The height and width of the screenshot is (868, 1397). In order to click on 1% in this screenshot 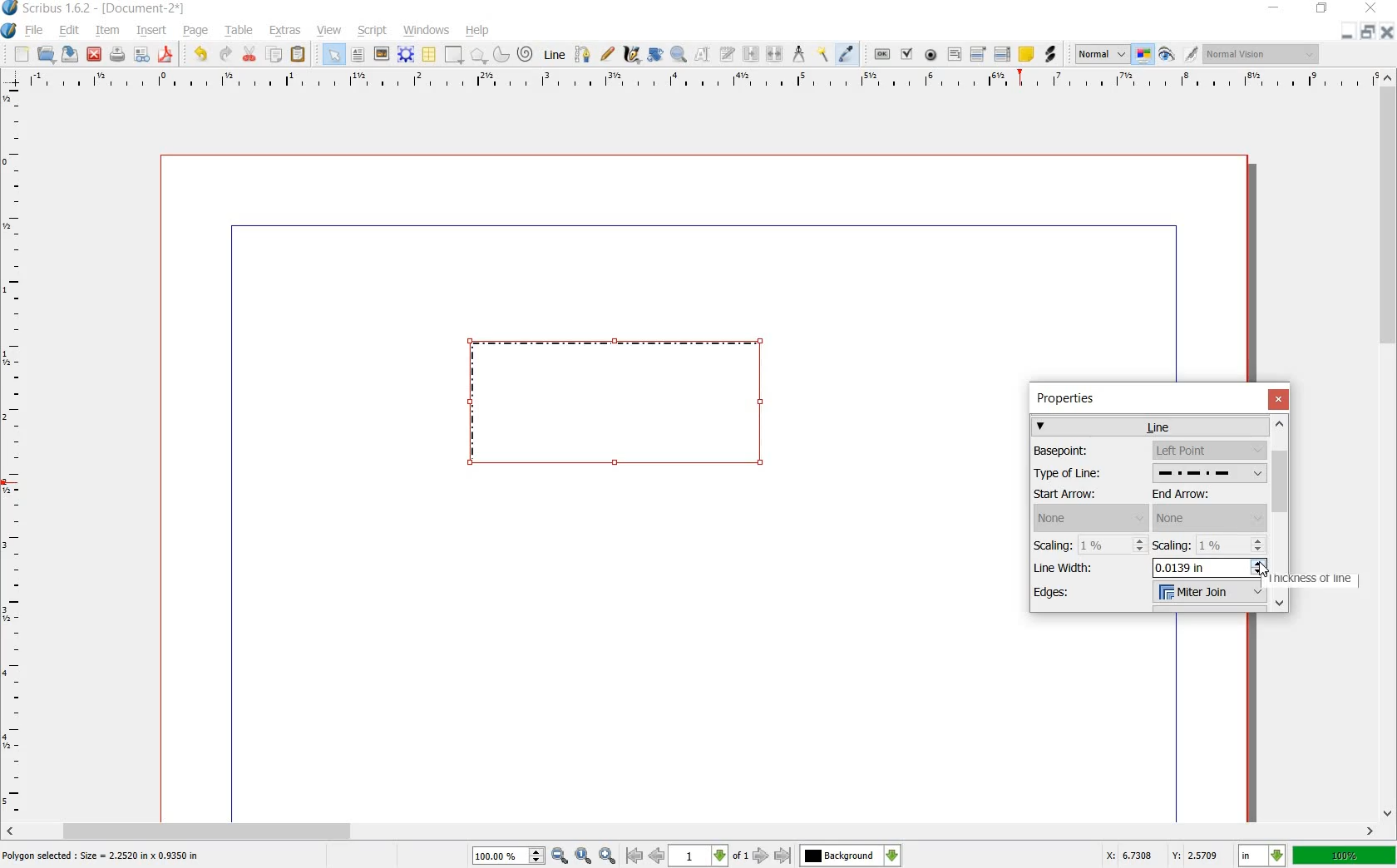, I will do `click(1114, 545)`.